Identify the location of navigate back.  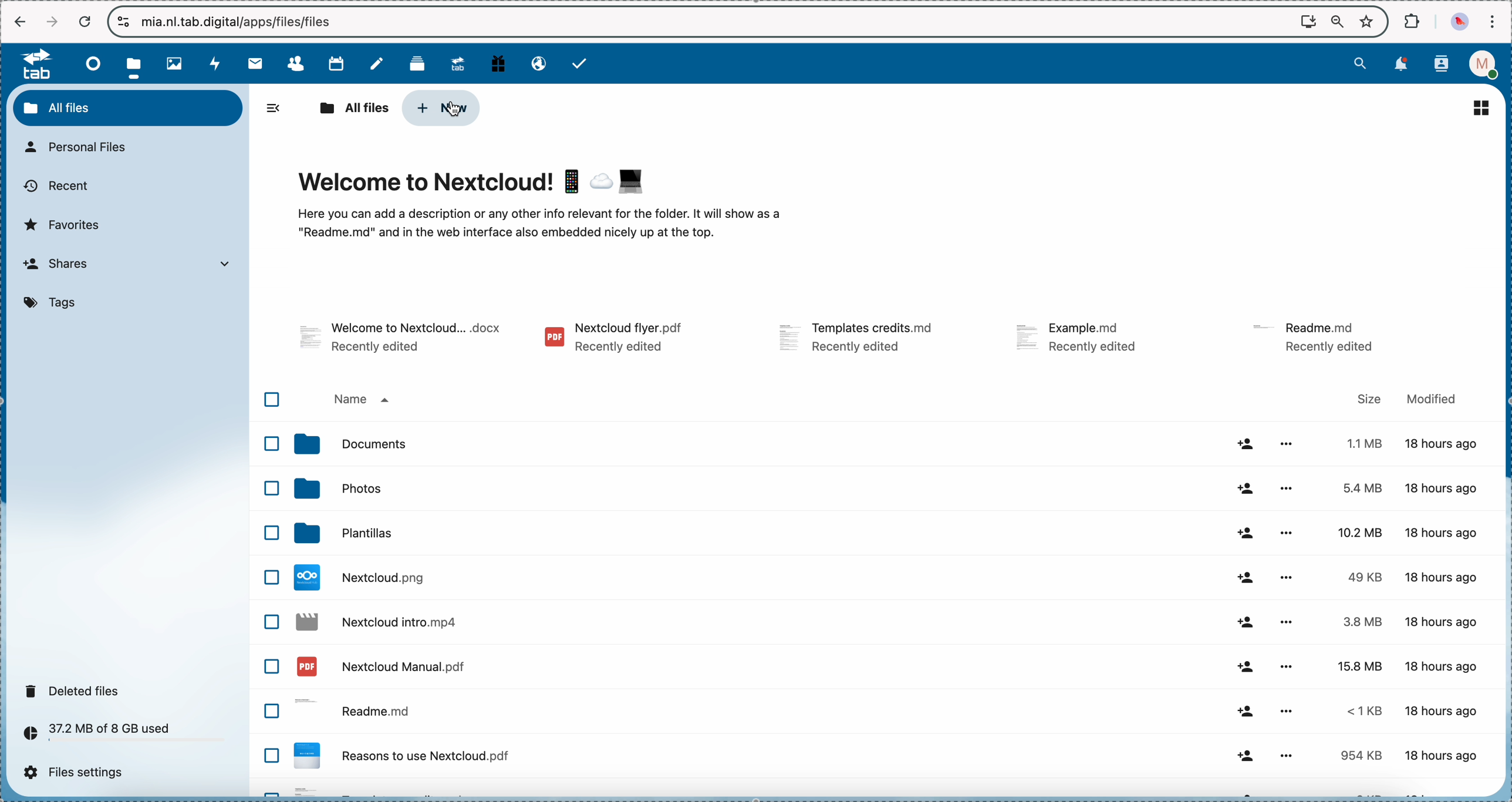
(21, 23).